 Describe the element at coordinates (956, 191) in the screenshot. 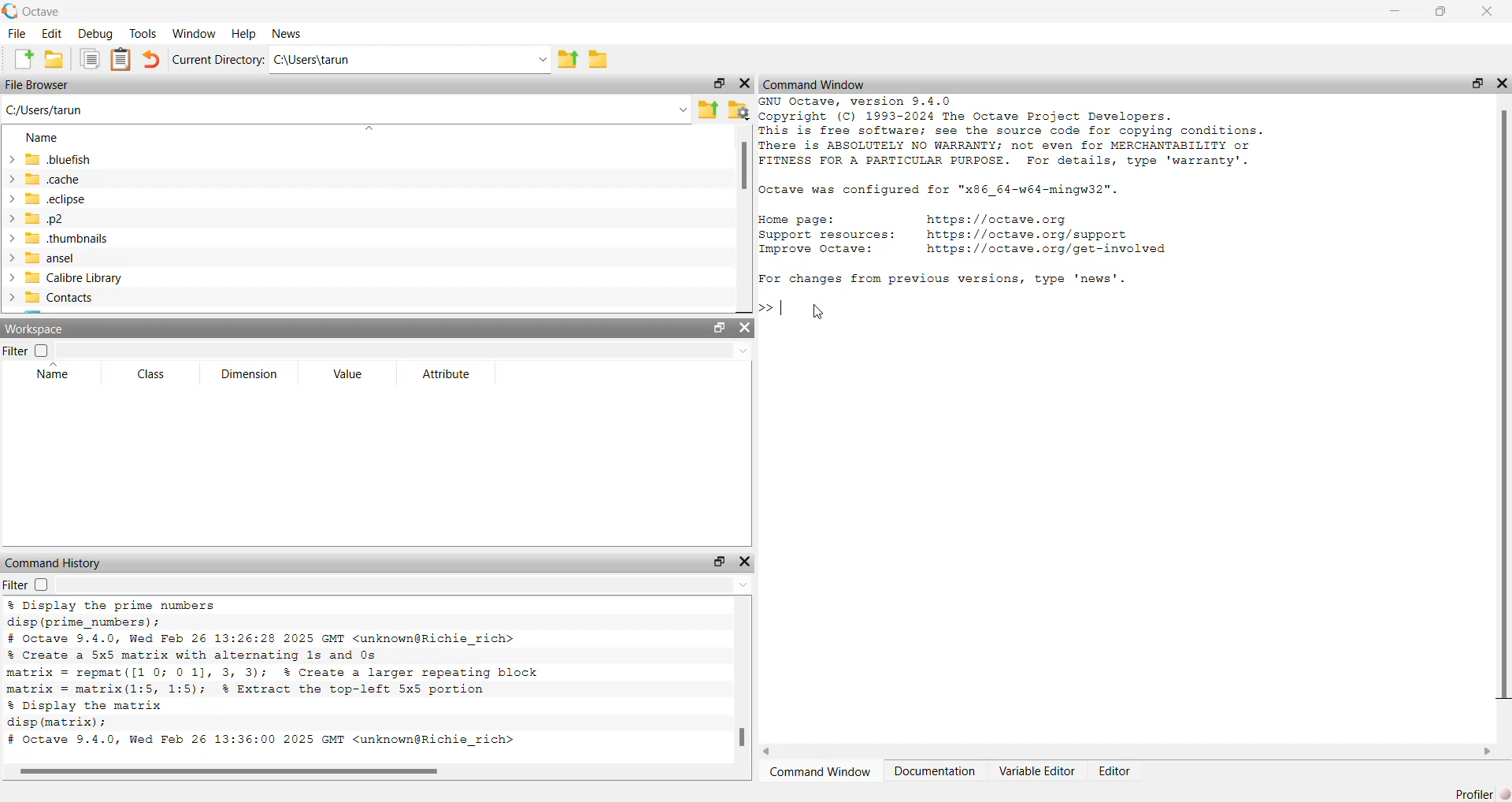

I see `octave configuration` at that location.